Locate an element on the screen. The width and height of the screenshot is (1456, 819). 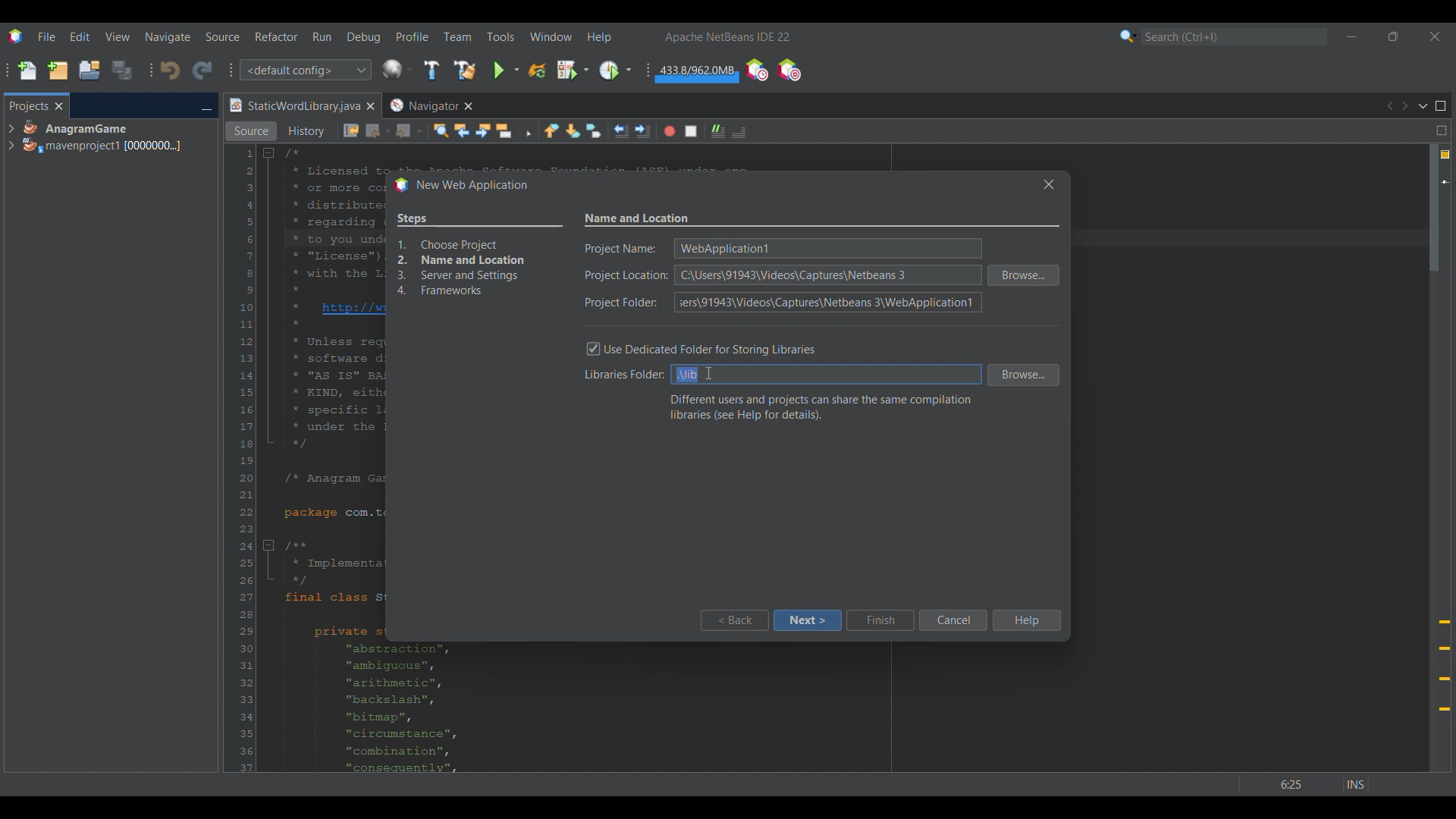
Refactor menu is located at coordinates (276, 36).